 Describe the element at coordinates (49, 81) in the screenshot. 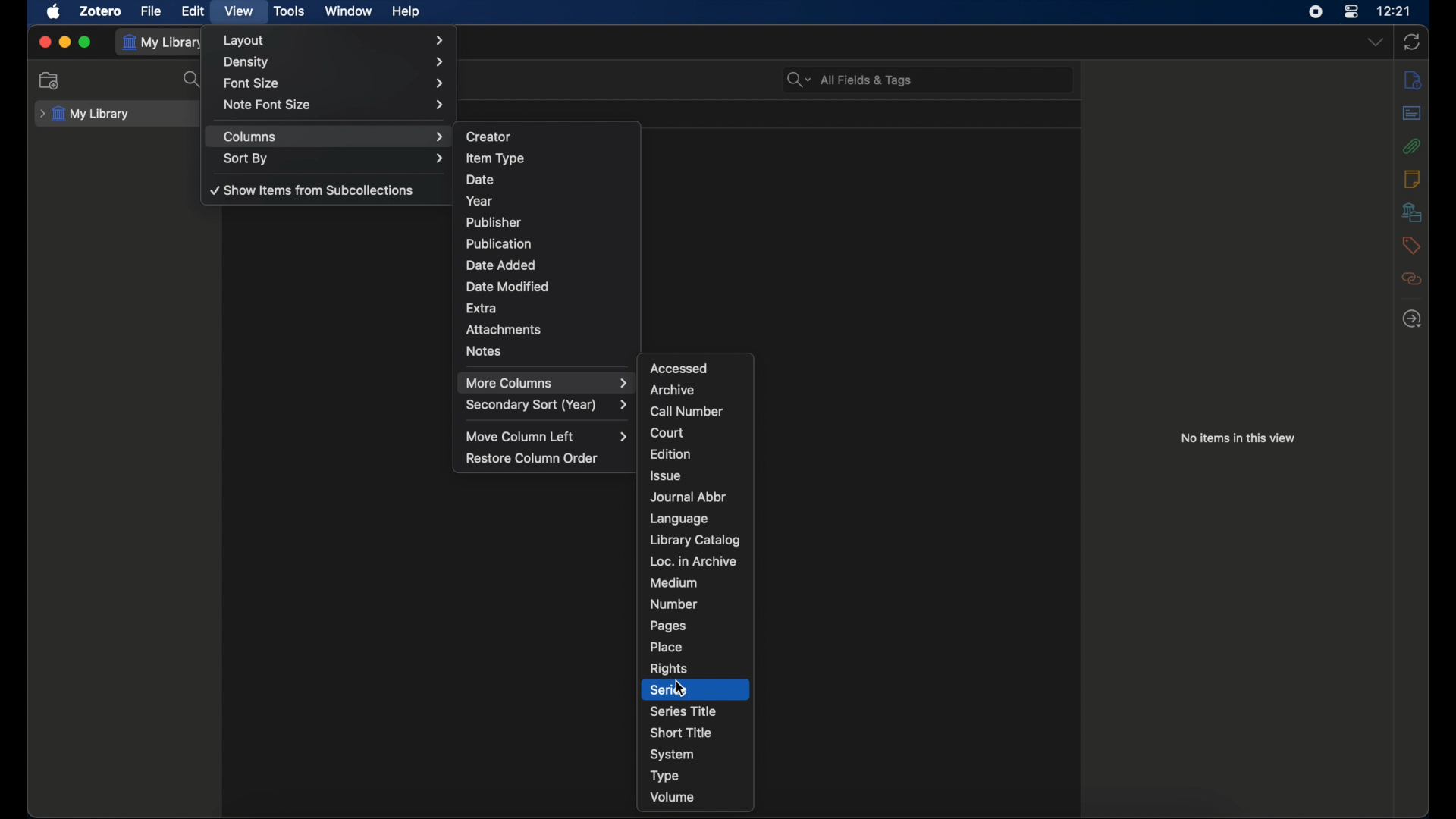

I see `new collections` at that location.